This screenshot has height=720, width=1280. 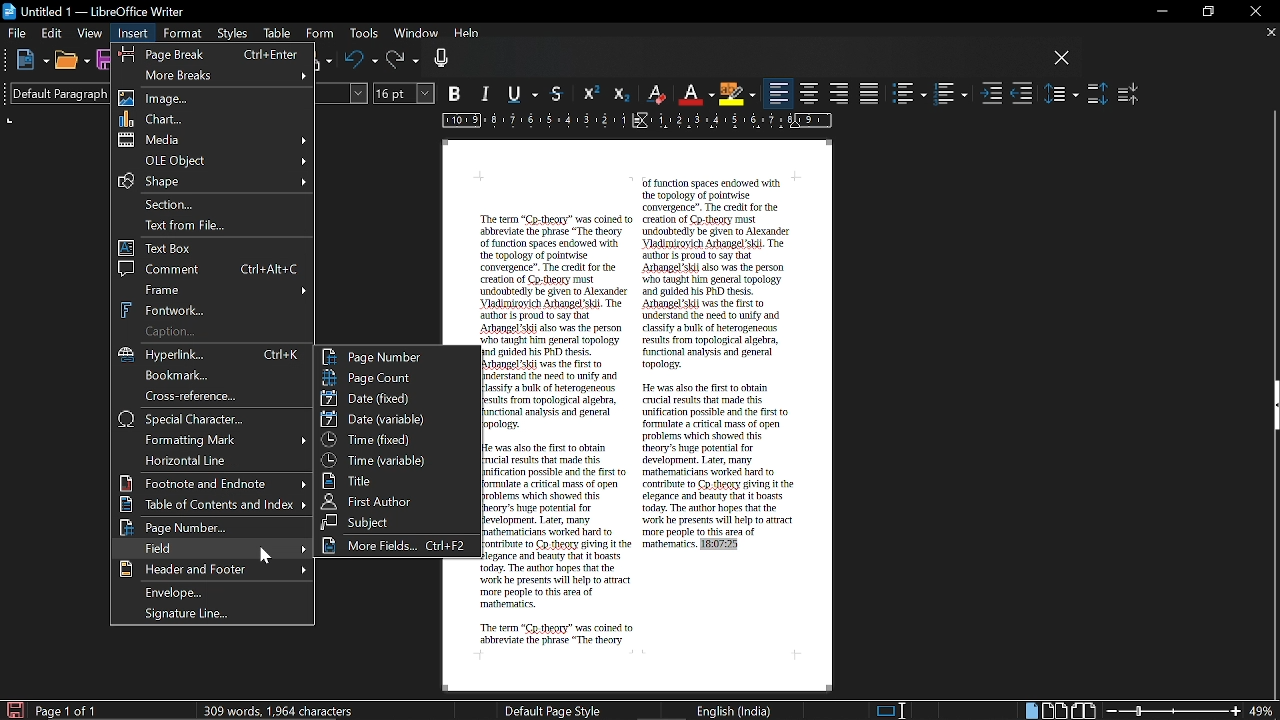 What do you see at coordinates (211, 528) in the screenshot?
I see `Page number` at bounding box center [211, 528].